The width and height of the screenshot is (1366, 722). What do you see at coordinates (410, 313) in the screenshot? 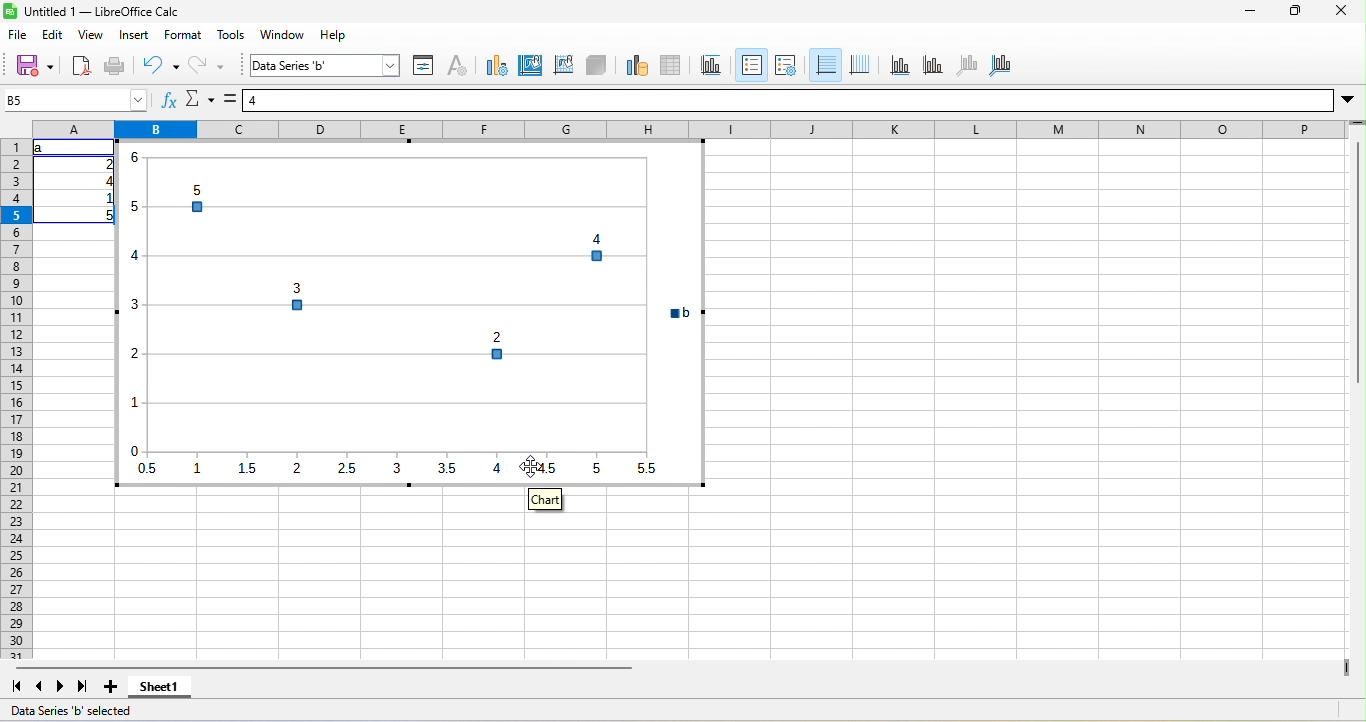
I see `Inserted a scatter plot with marker` at bounding box center [410, 313].